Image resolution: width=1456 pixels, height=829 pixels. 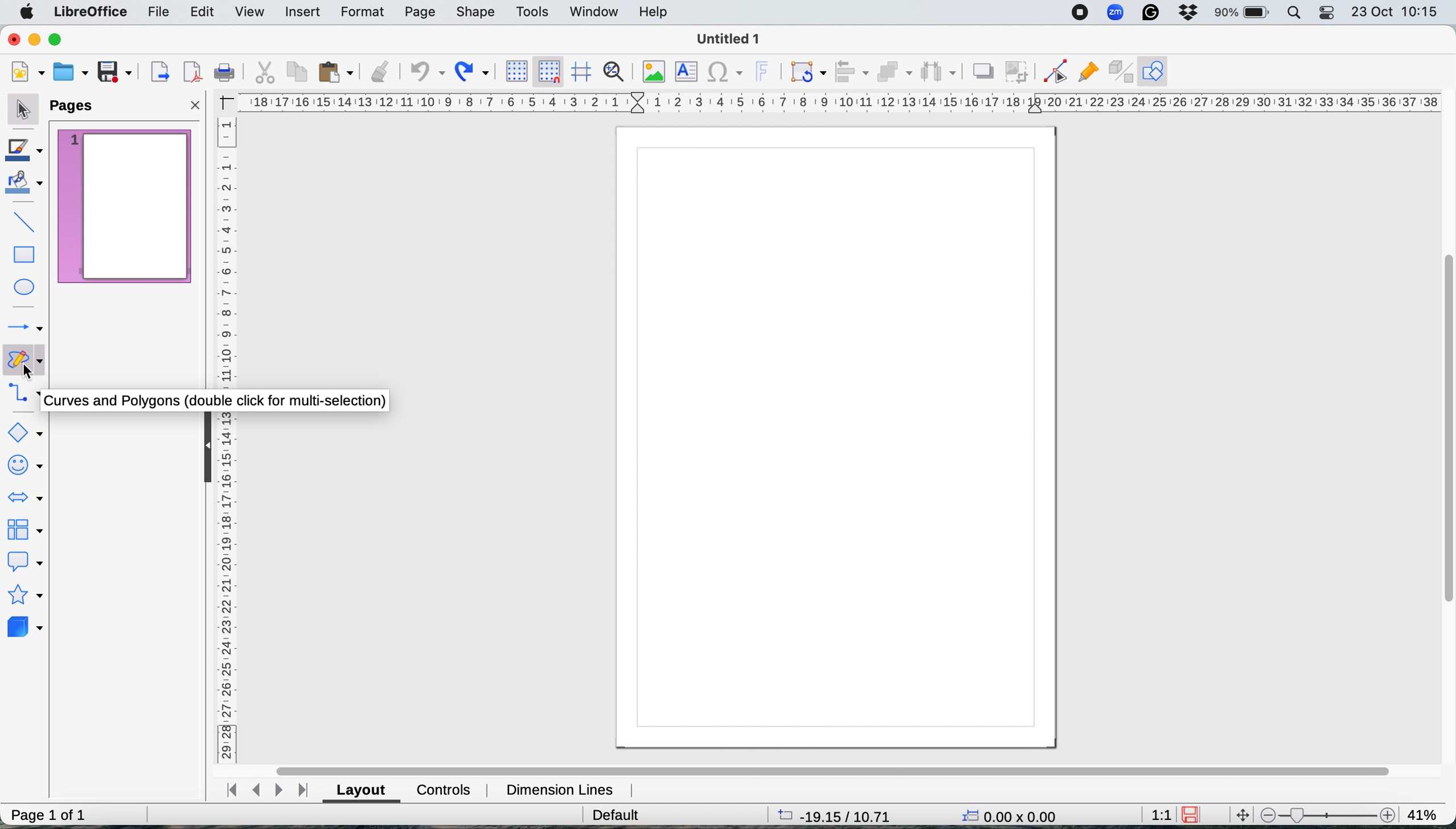 I want to click on redo, so click(x=473, y=73).